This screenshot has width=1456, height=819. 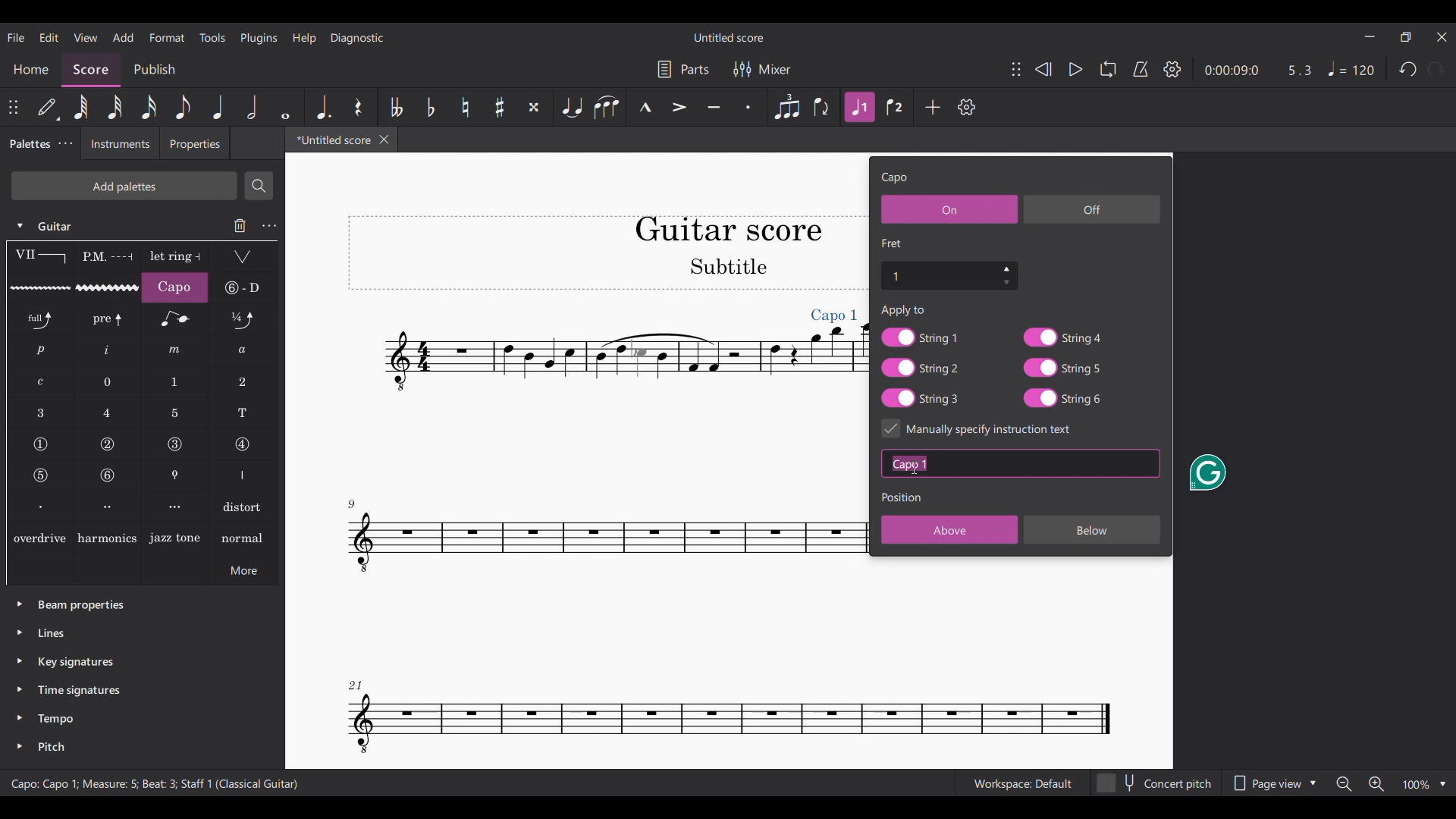 I want to click on Show in smaller tab, so click(x=1406, y=37).